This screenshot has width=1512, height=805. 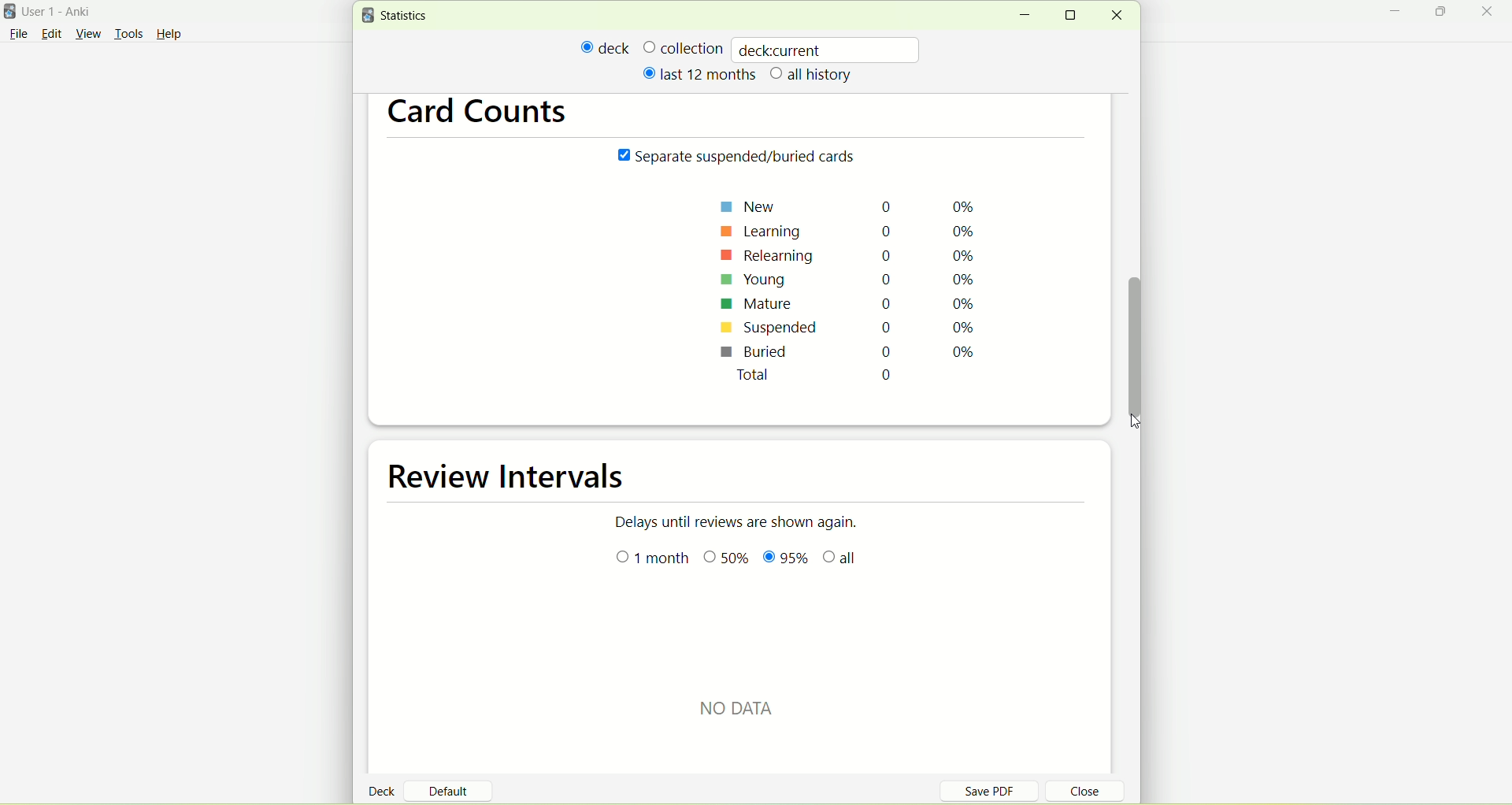 I want to click on last 12 months, so click(x=698, y=73).